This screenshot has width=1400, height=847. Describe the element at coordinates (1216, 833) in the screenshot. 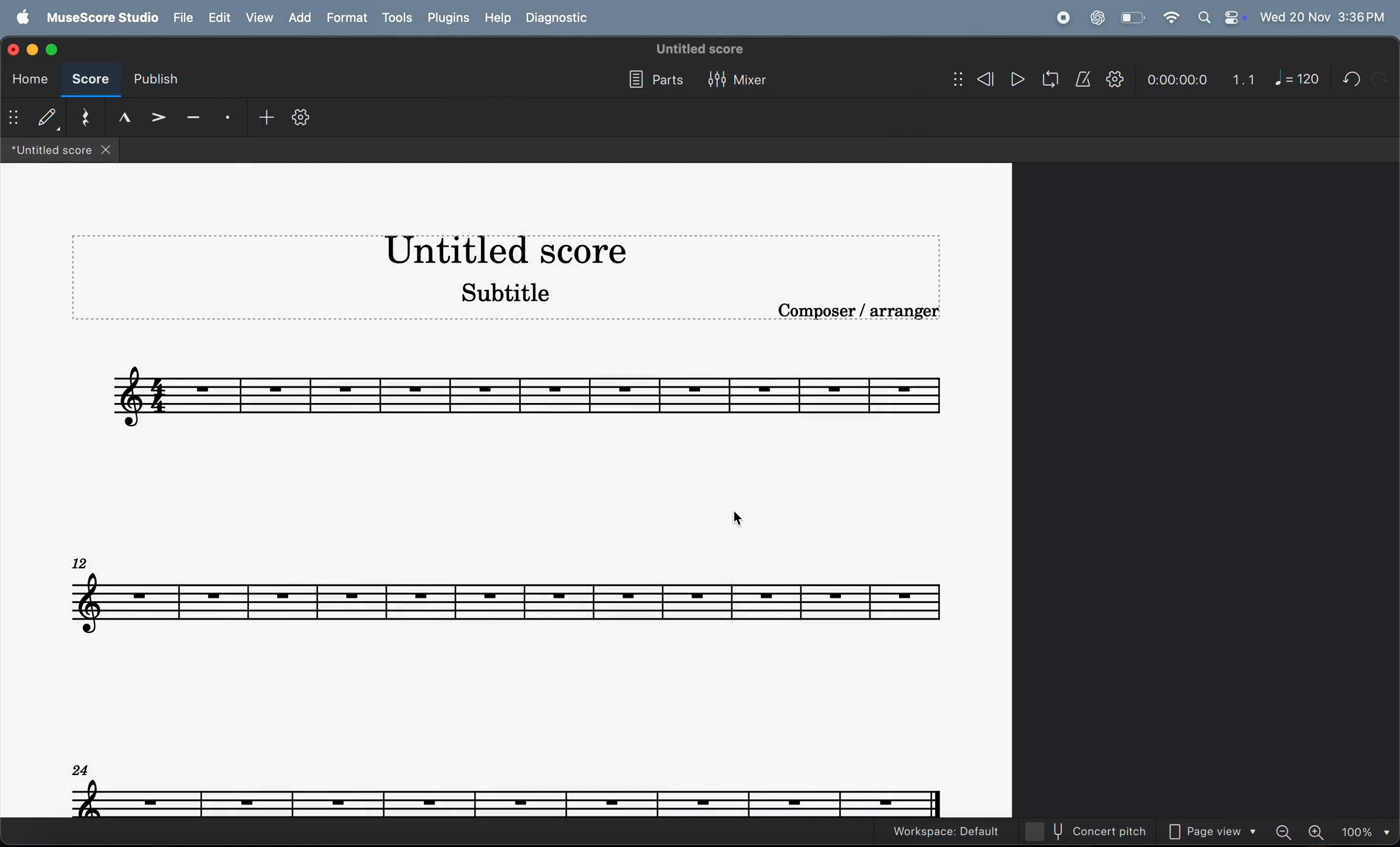

I see `page view` at that location.